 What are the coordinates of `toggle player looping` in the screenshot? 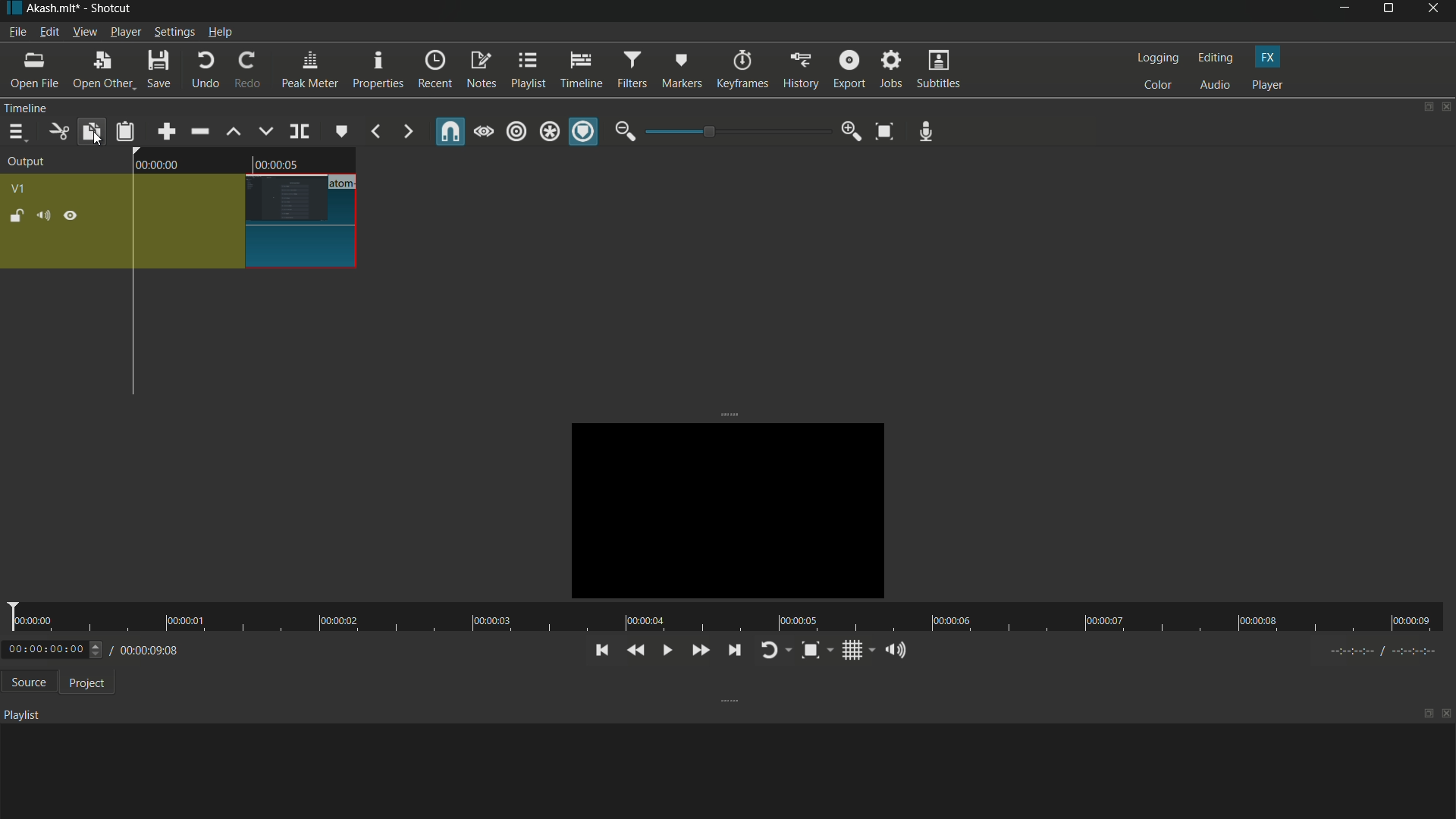 It's located at (773, 651).